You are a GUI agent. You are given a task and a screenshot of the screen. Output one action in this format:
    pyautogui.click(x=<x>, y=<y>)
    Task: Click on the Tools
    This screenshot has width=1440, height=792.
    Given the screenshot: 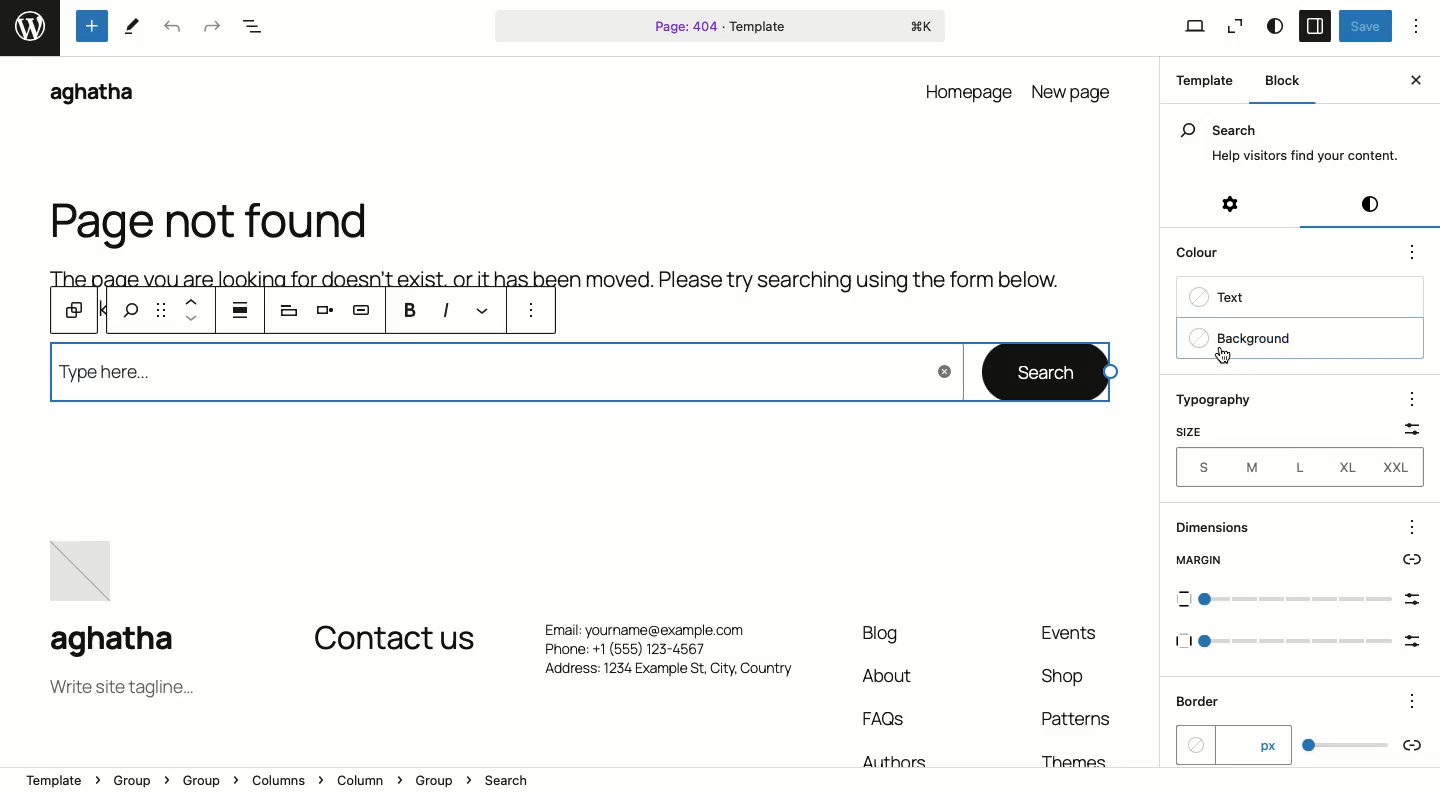 What is the action you would take?
    pyautogui.click(x=93, y=25)
    